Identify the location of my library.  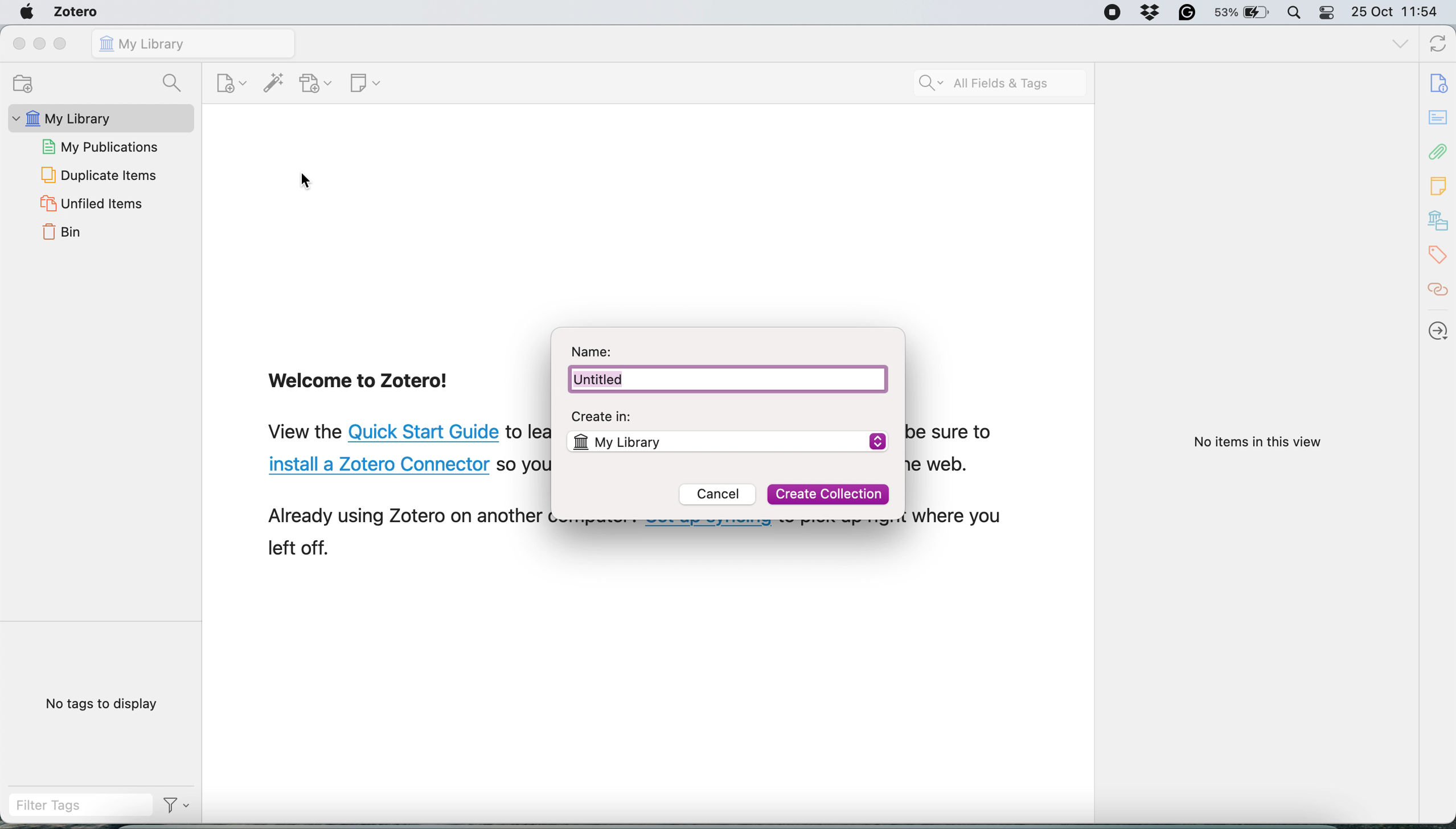
(99, 117).